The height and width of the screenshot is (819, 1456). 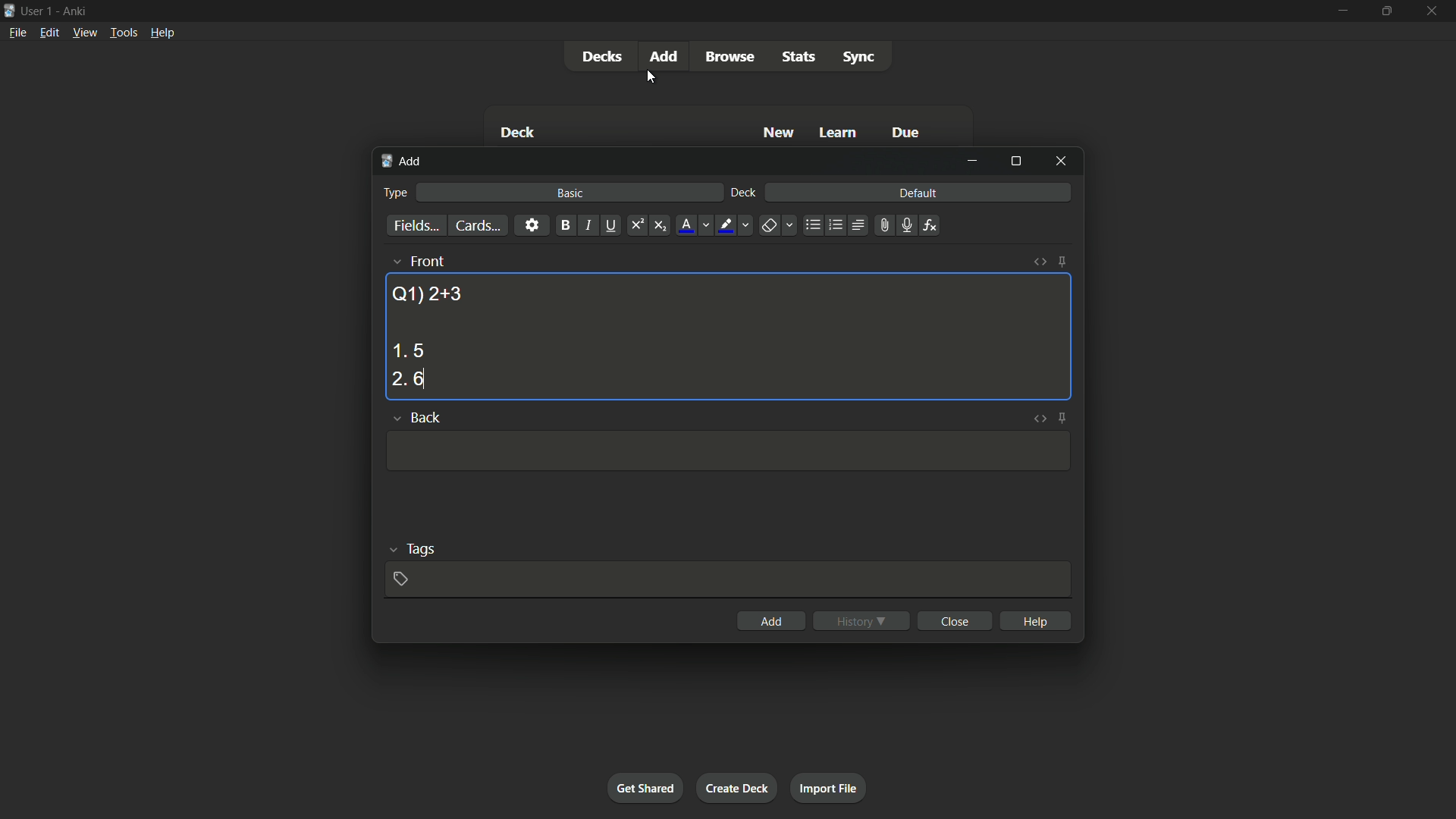 I want to click on attach file, so click(x=883, y=225).